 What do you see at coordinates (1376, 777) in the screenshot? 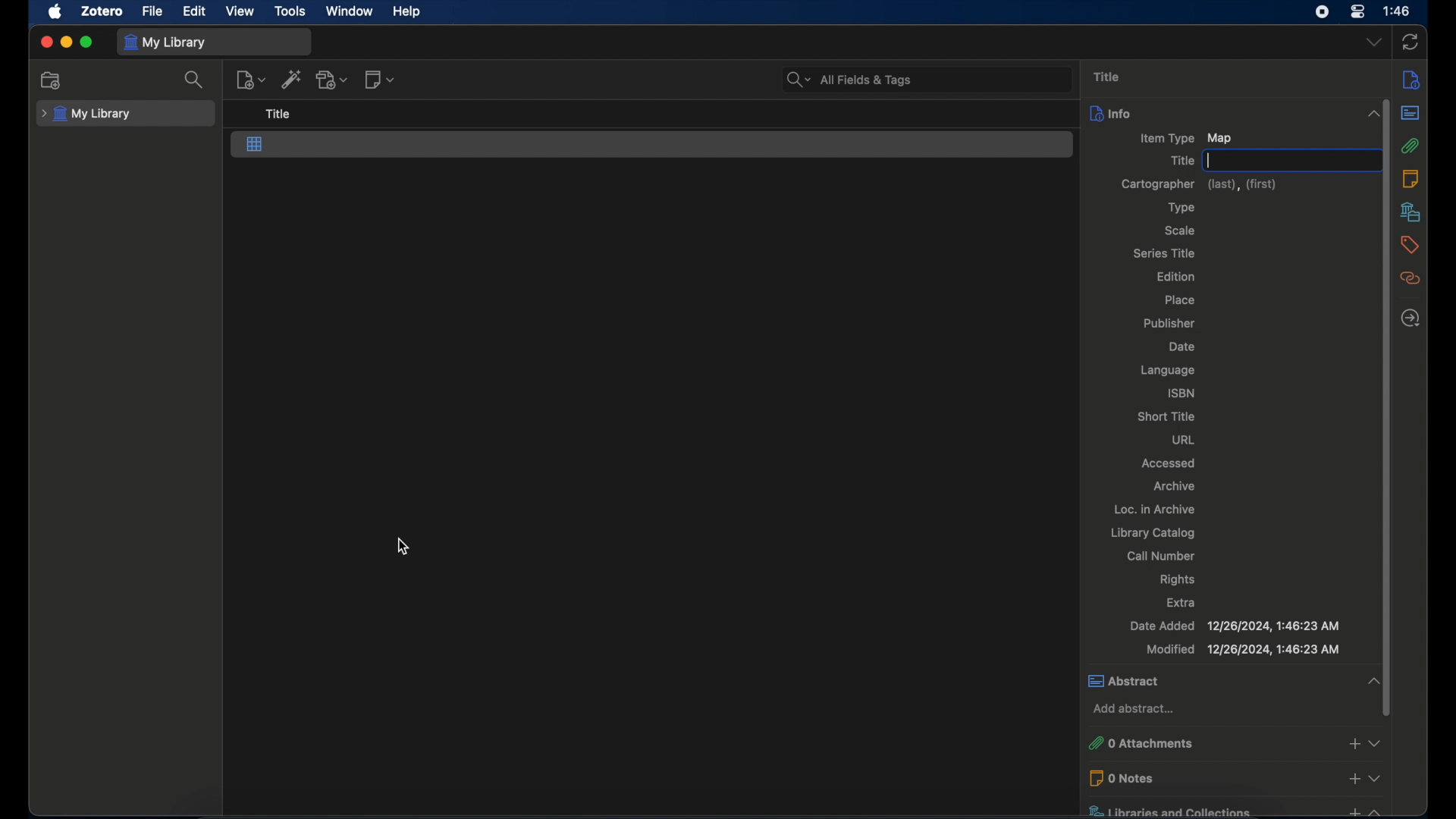
I see `Collapse or expand ` at bounding box center [1376, 777].